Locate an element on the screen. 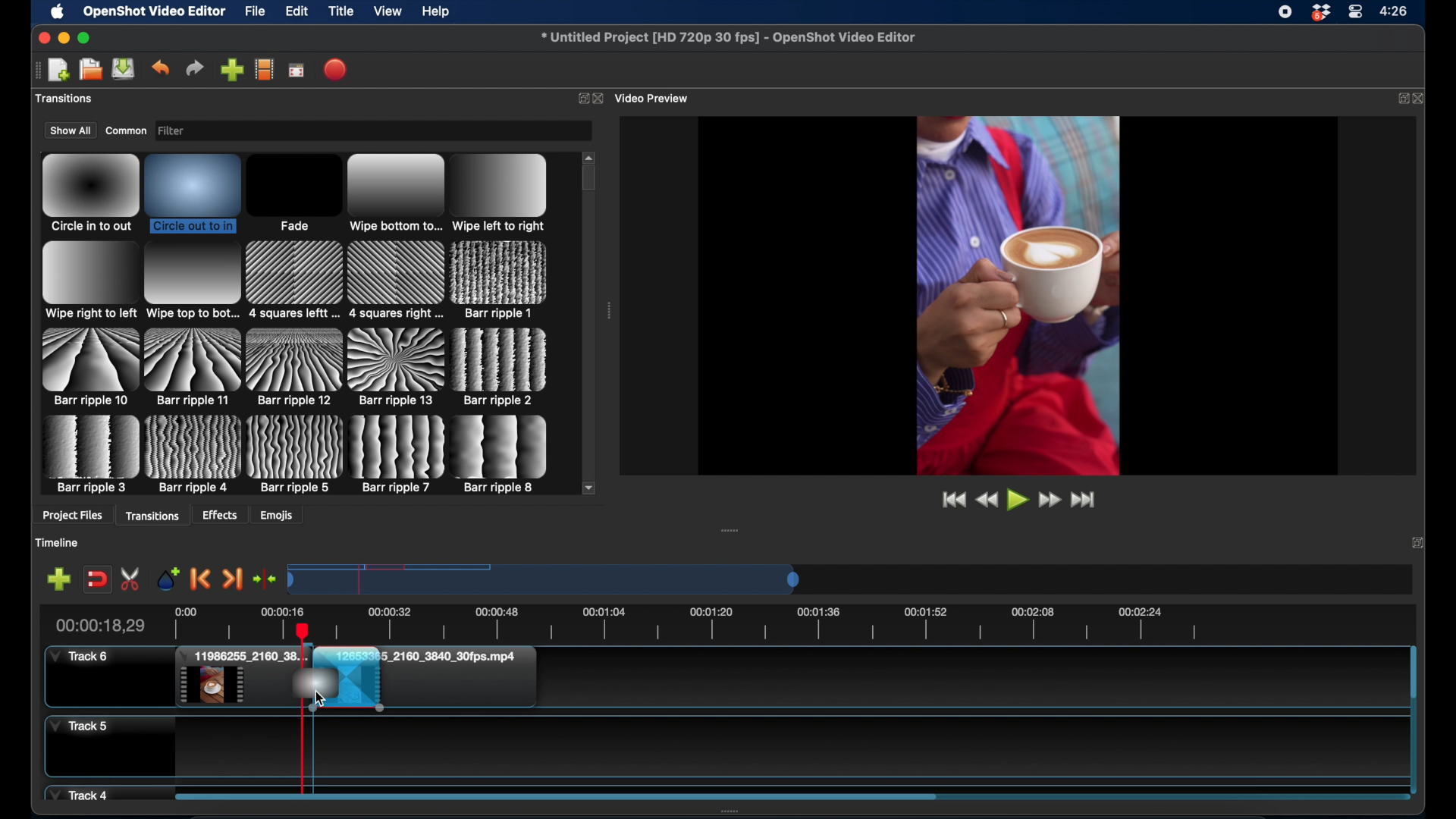 The image size is (1456, 819). center the timeline playhead is located at coordinates (265, 580).